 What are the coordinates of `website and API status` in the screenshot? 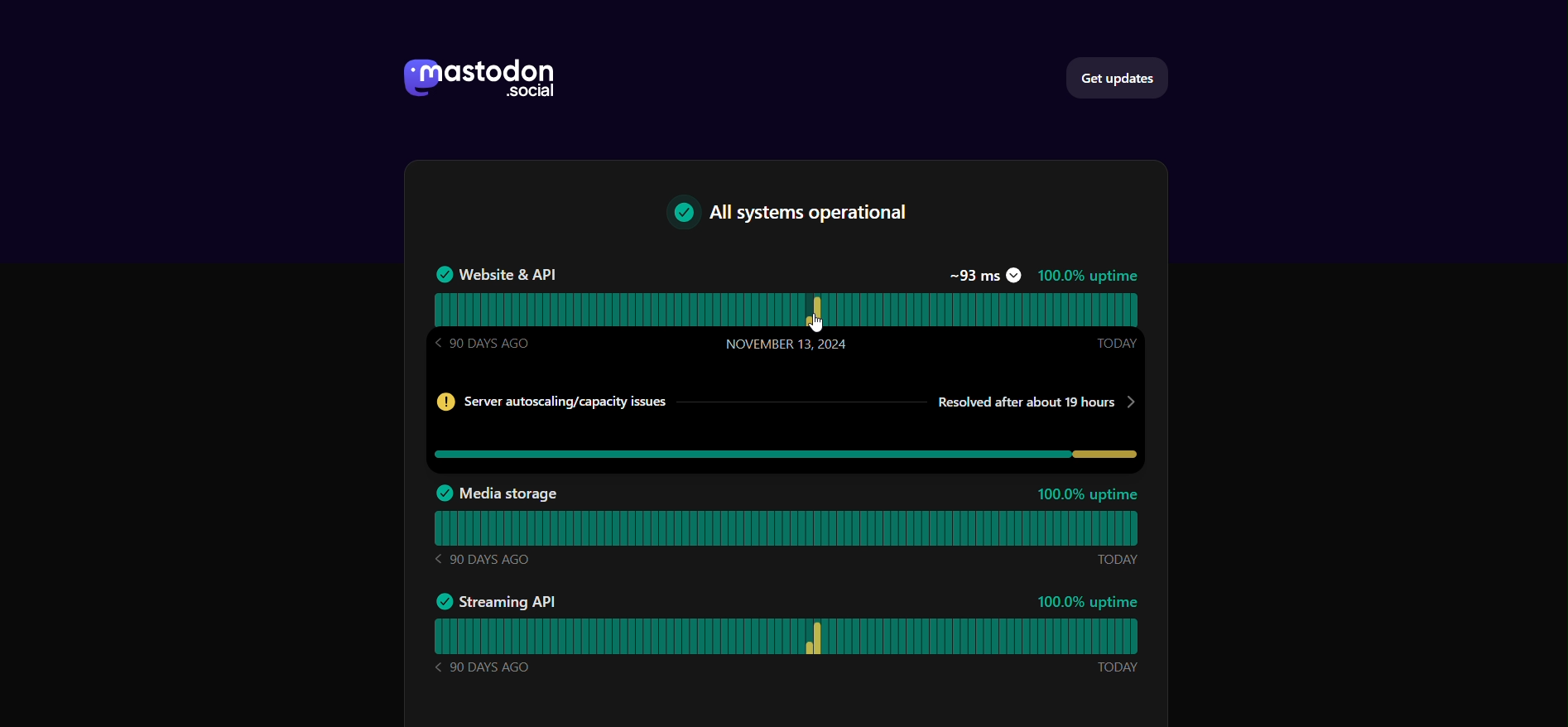 It's located at (789, 307).